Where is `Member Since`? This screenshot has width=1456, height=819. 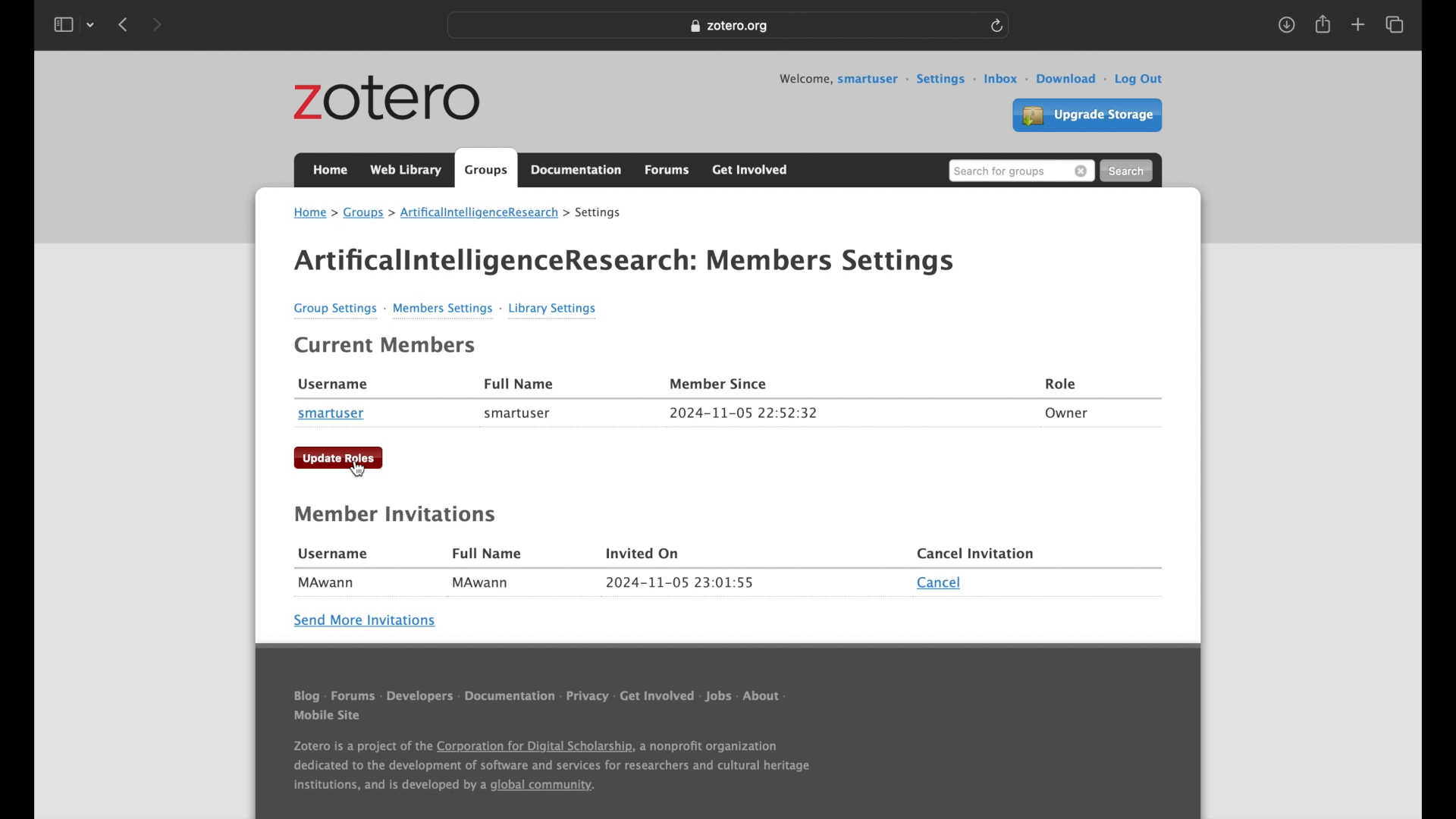
Member Since is located at coordinates (722, 384).